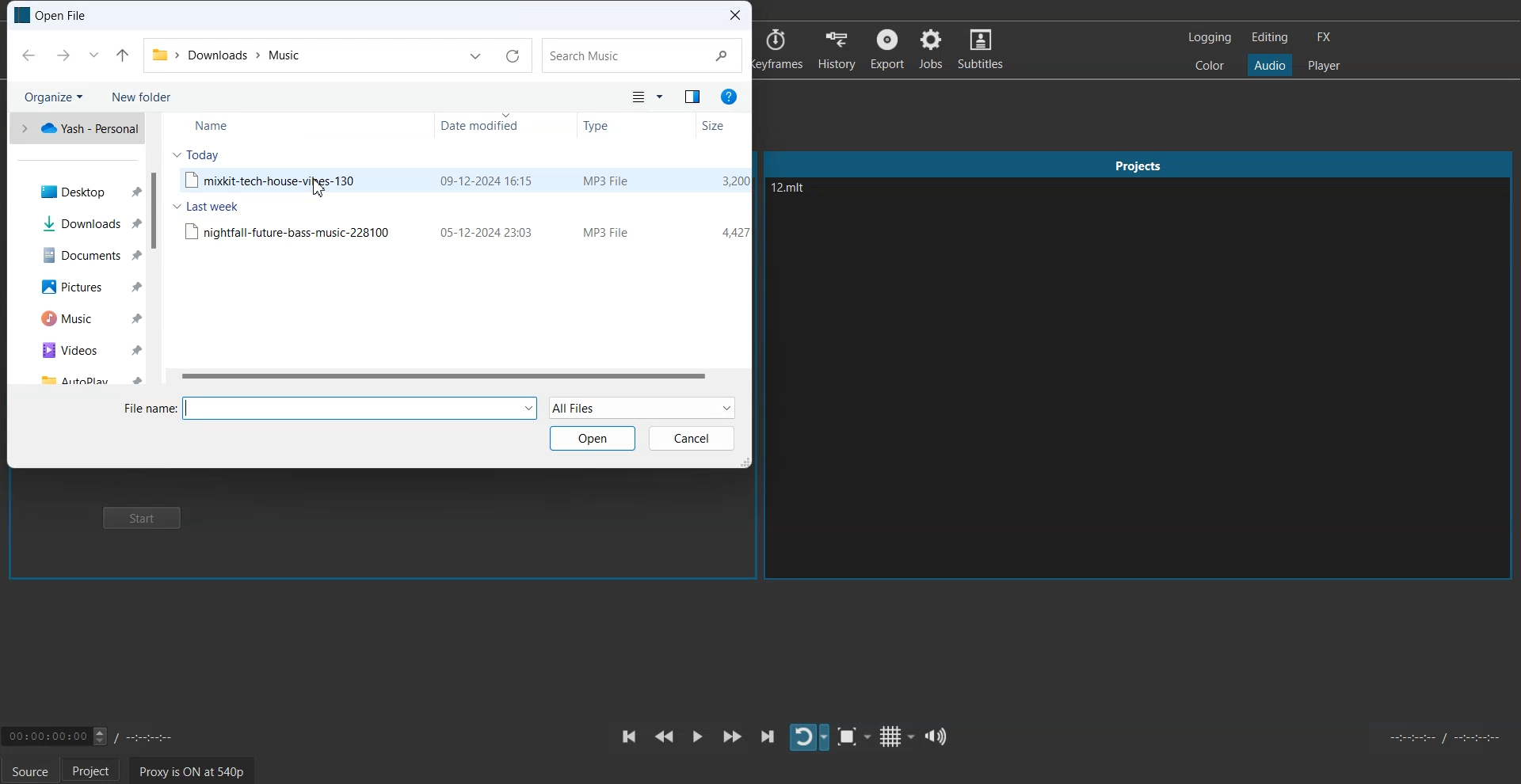  Describe the element at coordinates (592, 438) in the screenshot. I see `Open` at that location.